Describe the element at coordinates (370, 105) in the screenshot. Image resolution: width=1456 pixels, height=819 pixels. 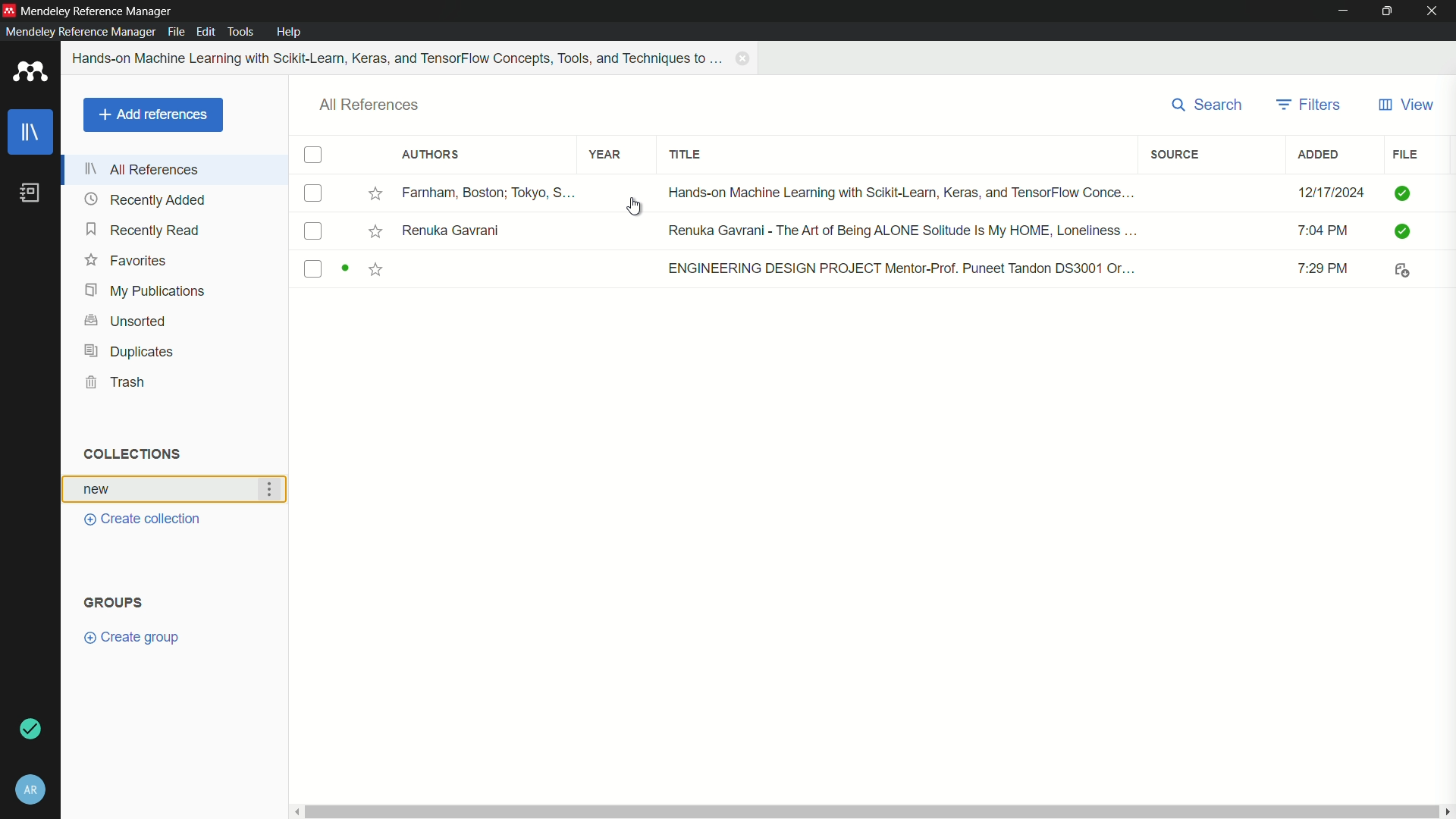
I see `all references` at that location.